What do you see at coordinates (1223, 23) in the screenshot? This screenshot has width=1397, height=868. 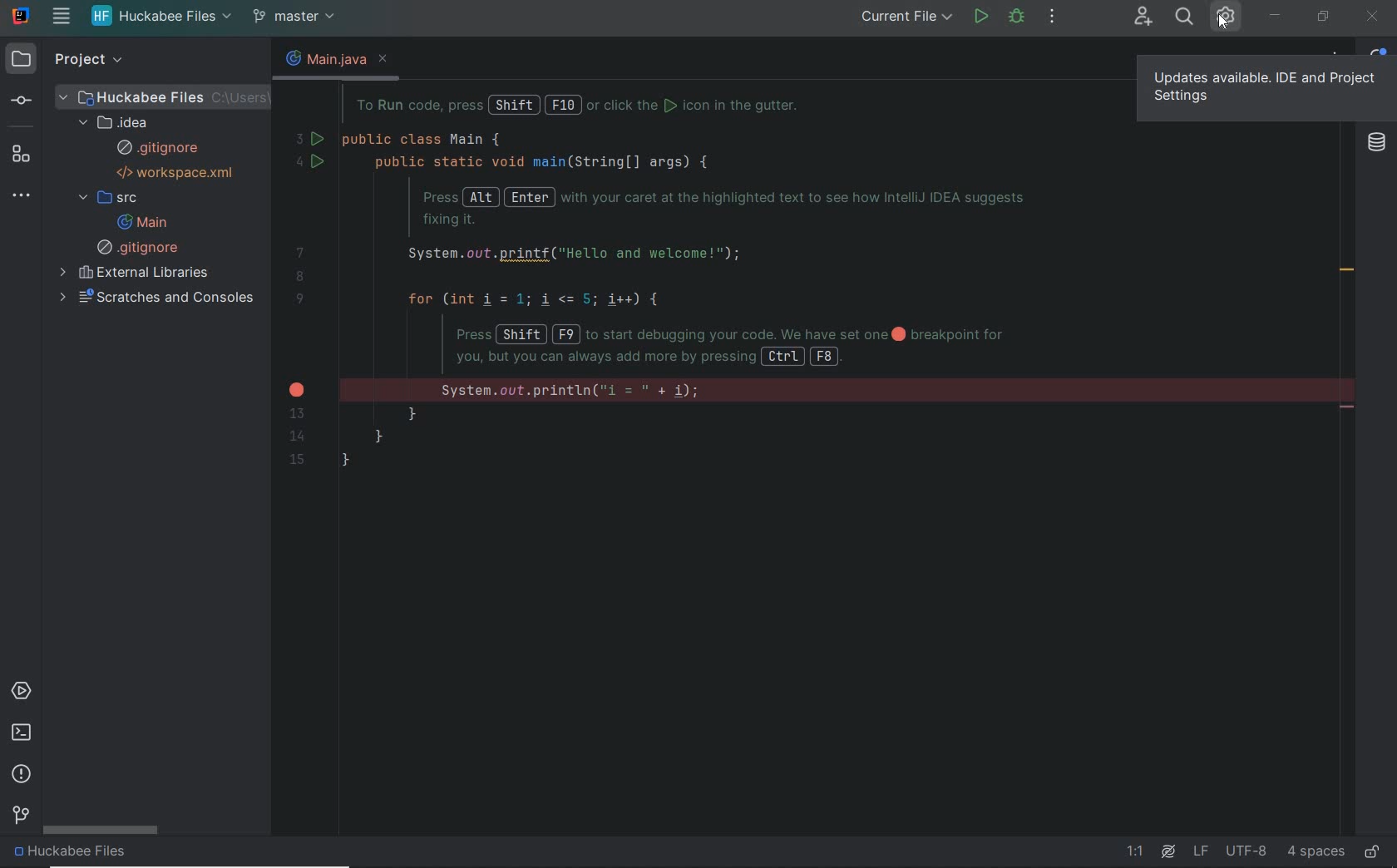 I see `cursor` at bounding box center [1223, 23].